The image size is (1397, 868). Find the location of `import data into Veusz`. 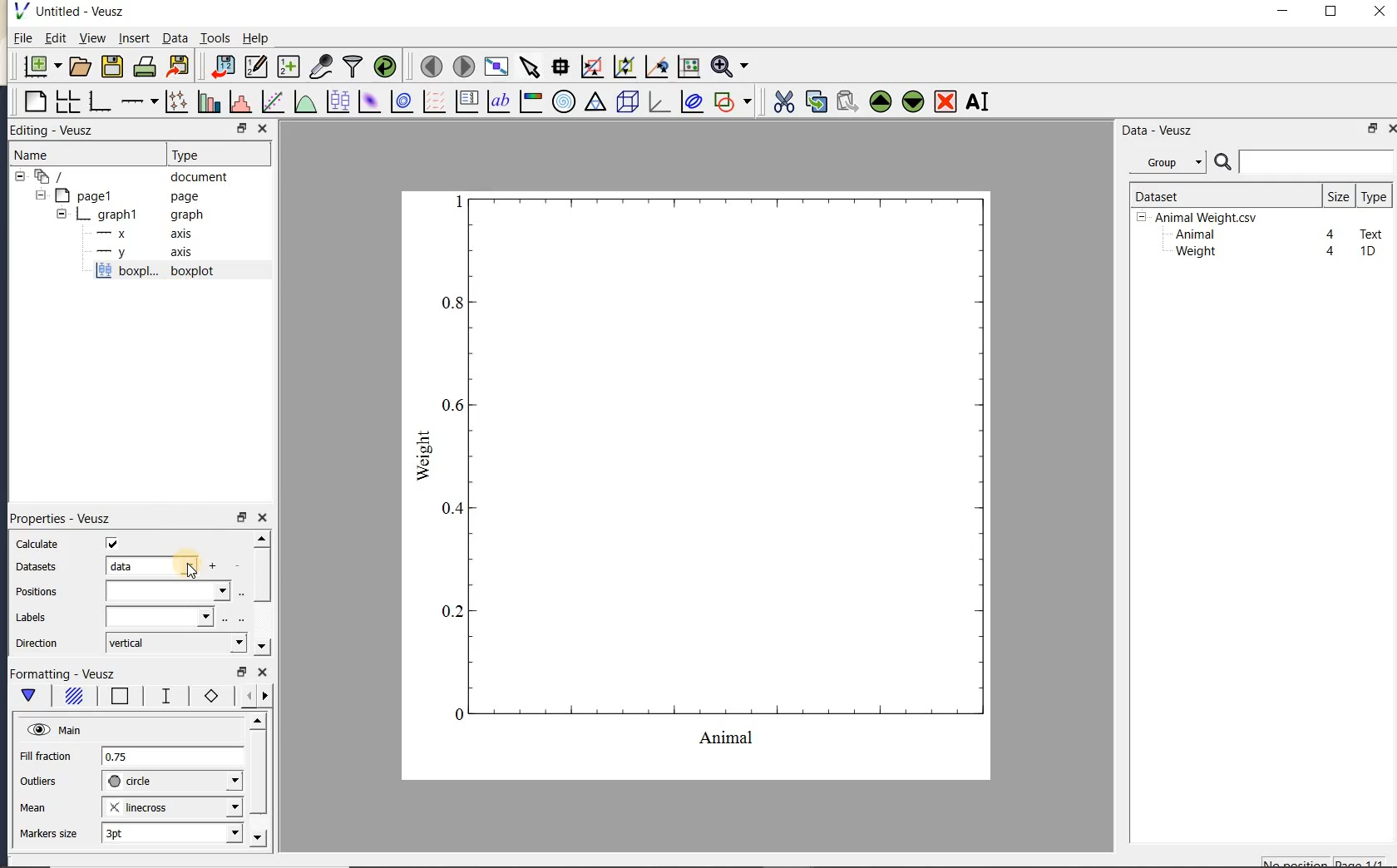

import data into Veusz is located at coordinates (223, 67).